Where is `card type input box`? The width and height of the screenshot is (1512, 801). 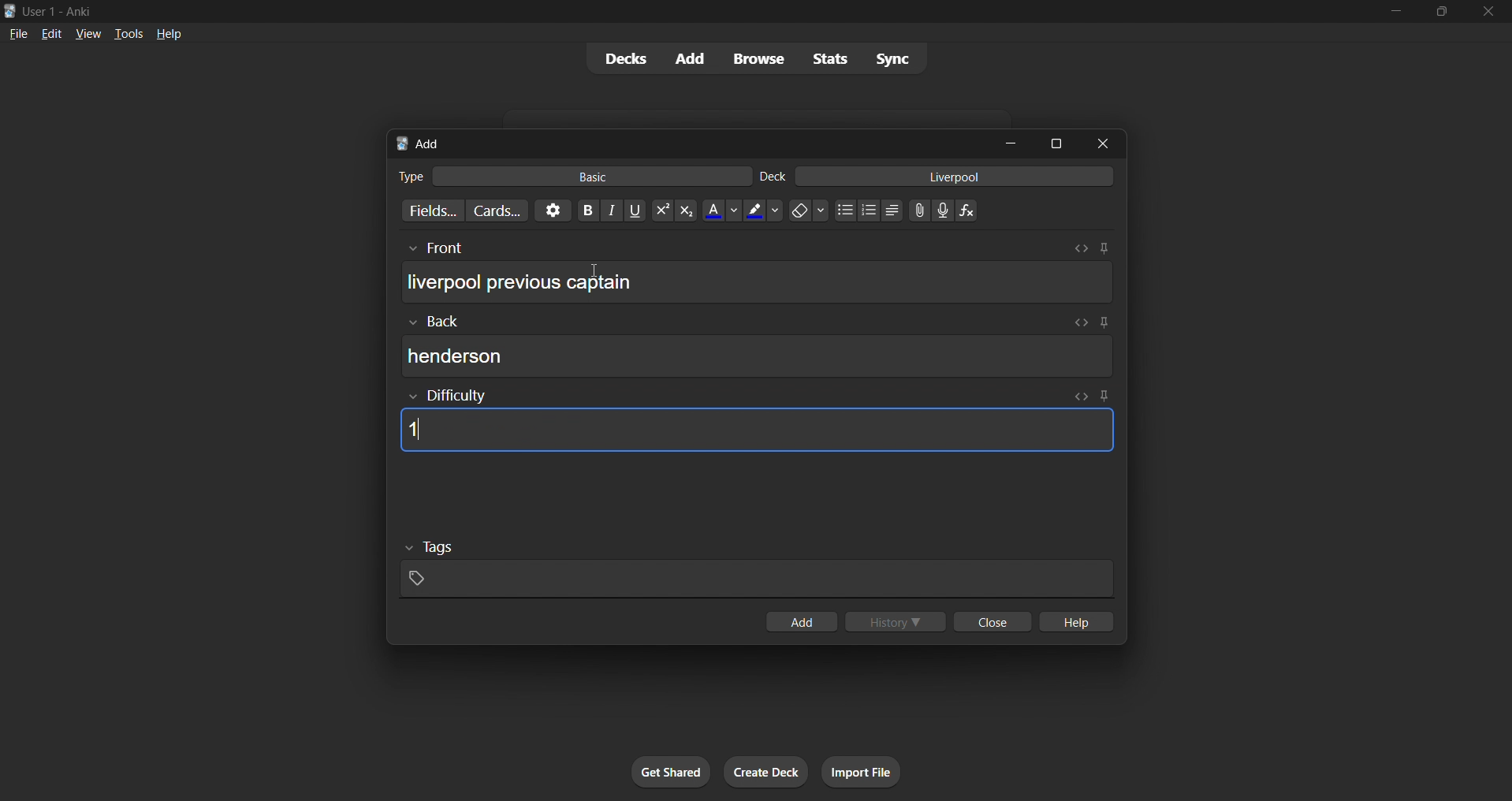 card type input box is located at coordinates (565, 173).